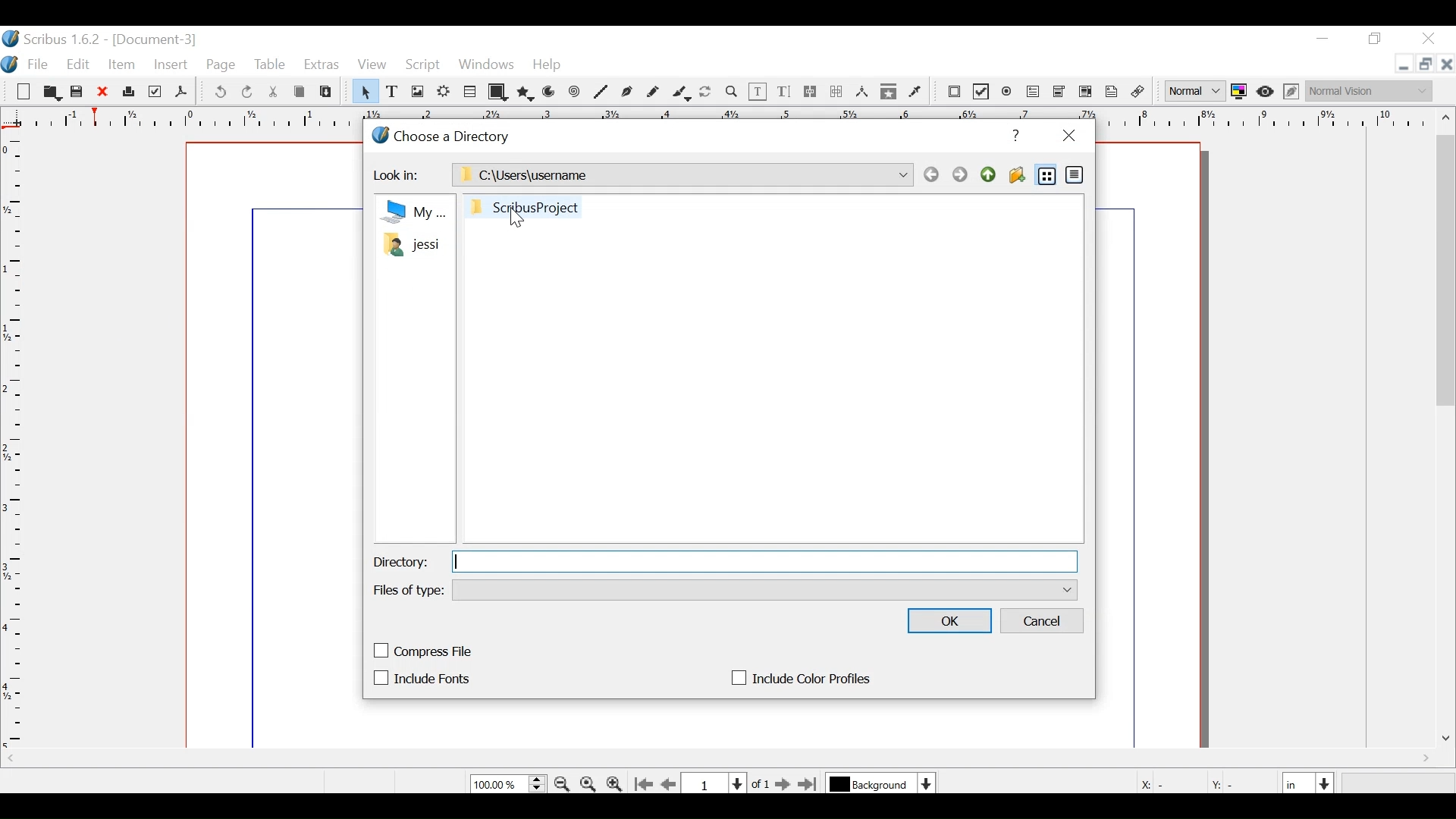  I want to click on Render Frame, so click(444, 91).